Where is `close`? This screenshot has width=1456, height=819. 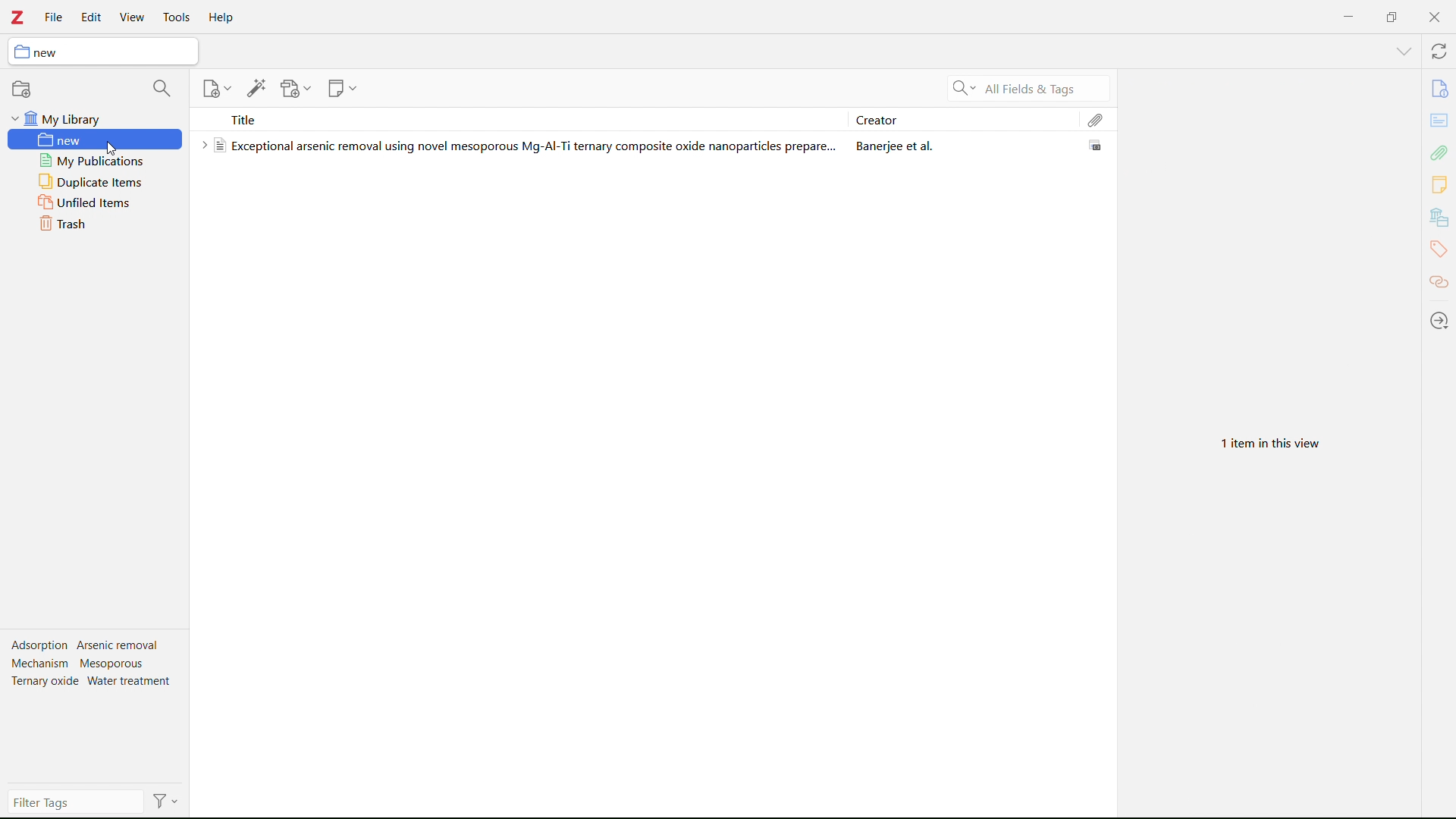
close is located at coordinates (1432, 17).